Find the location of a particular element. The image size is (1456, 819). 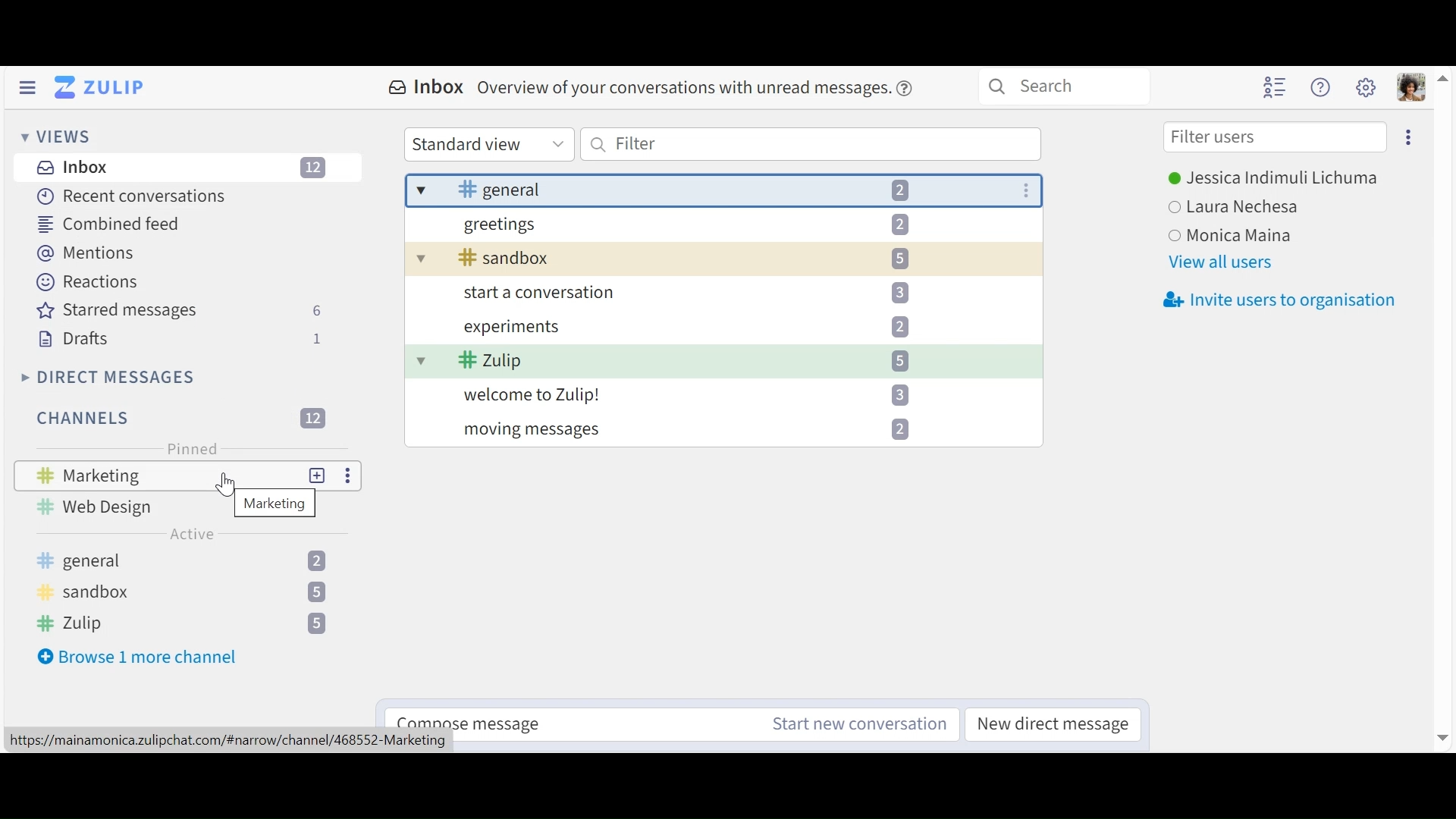

Users is located at coordinates (1272, 180).